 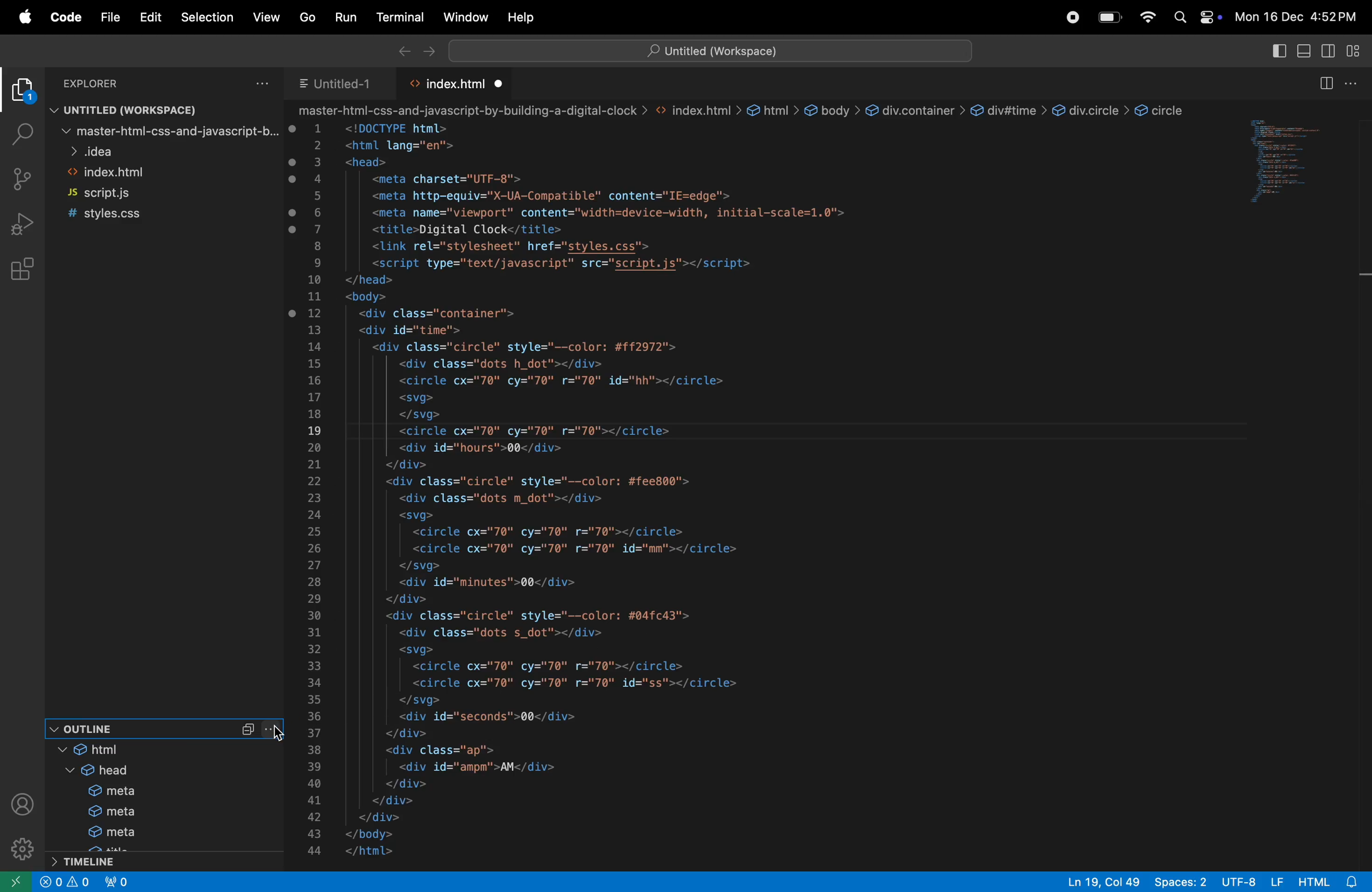 What do you see at coordinates (263, 16) in the screenshot?
I see `view` at bounding box center [263, 16].